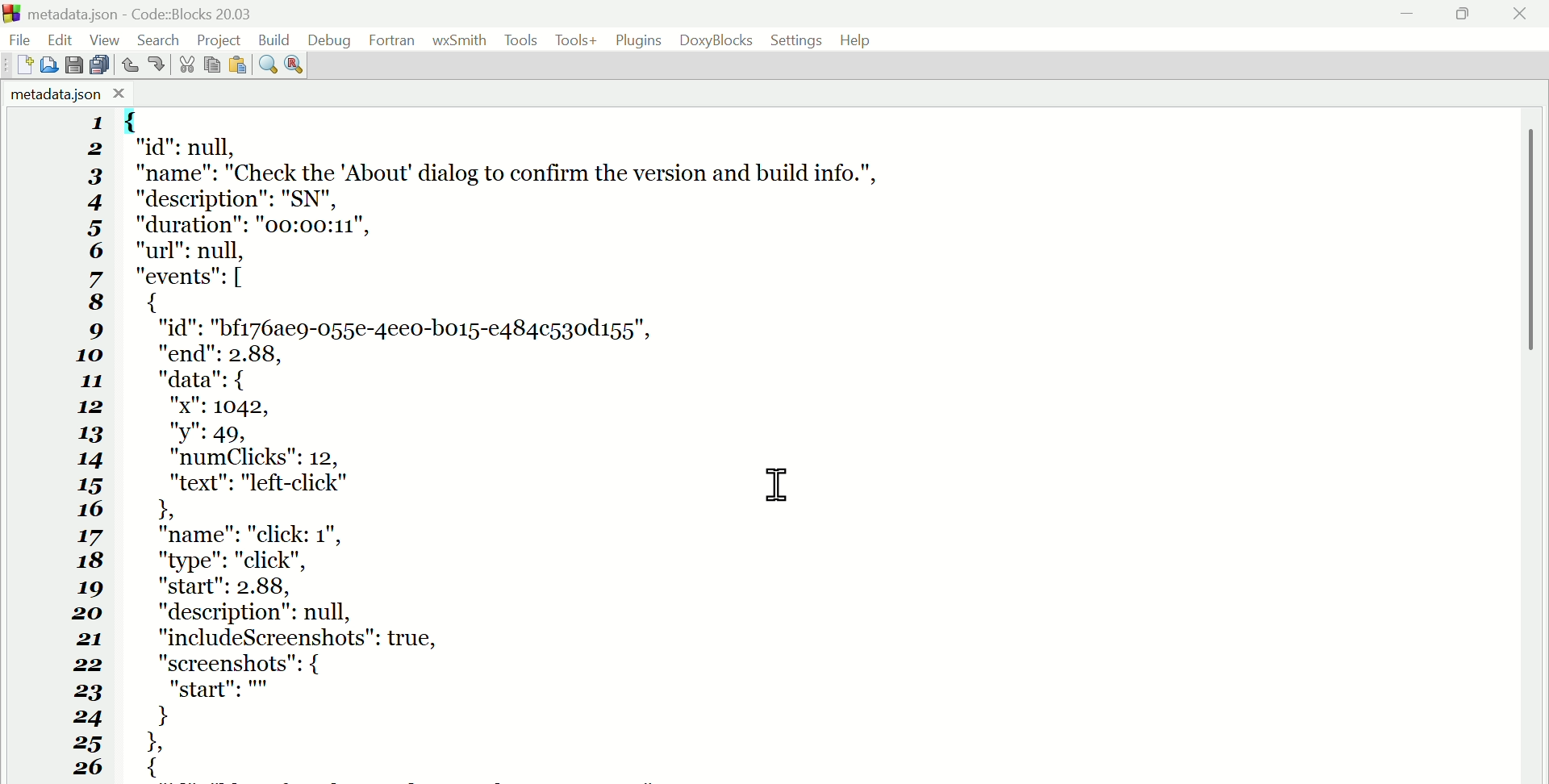  Describe the element at coordinates (156, 63) in the screenshot. I see `Redo` at that location.